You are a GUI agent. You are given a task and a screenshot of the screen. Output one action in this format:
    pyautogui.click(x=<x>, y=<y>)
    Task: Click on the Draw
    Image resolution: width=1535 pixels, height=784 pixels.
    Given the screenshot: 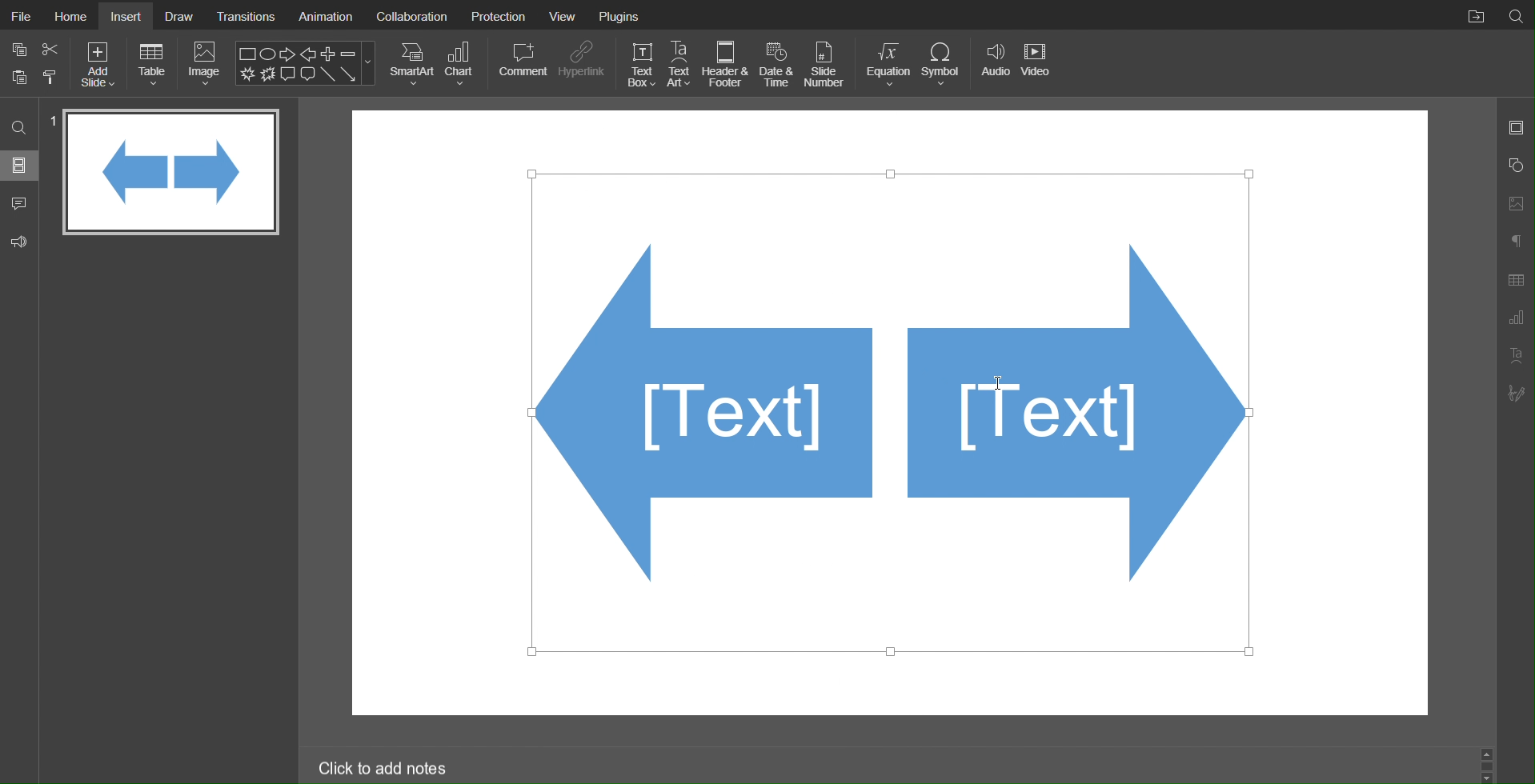 What is the action you would take?
    pyautogui.click(x=179, y=15)
    